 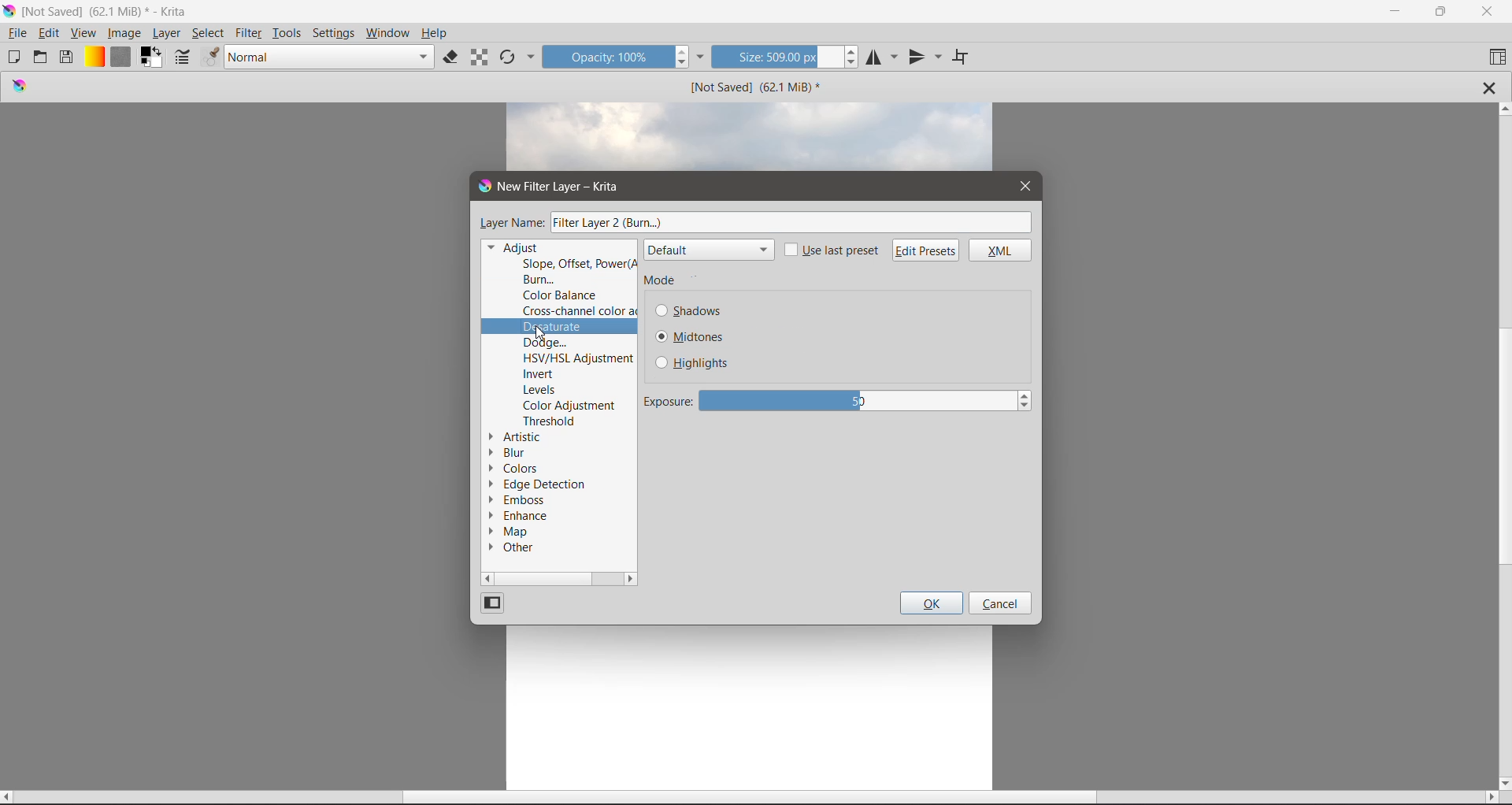 I want to click on Cancel, so click(x=1002, y=602).